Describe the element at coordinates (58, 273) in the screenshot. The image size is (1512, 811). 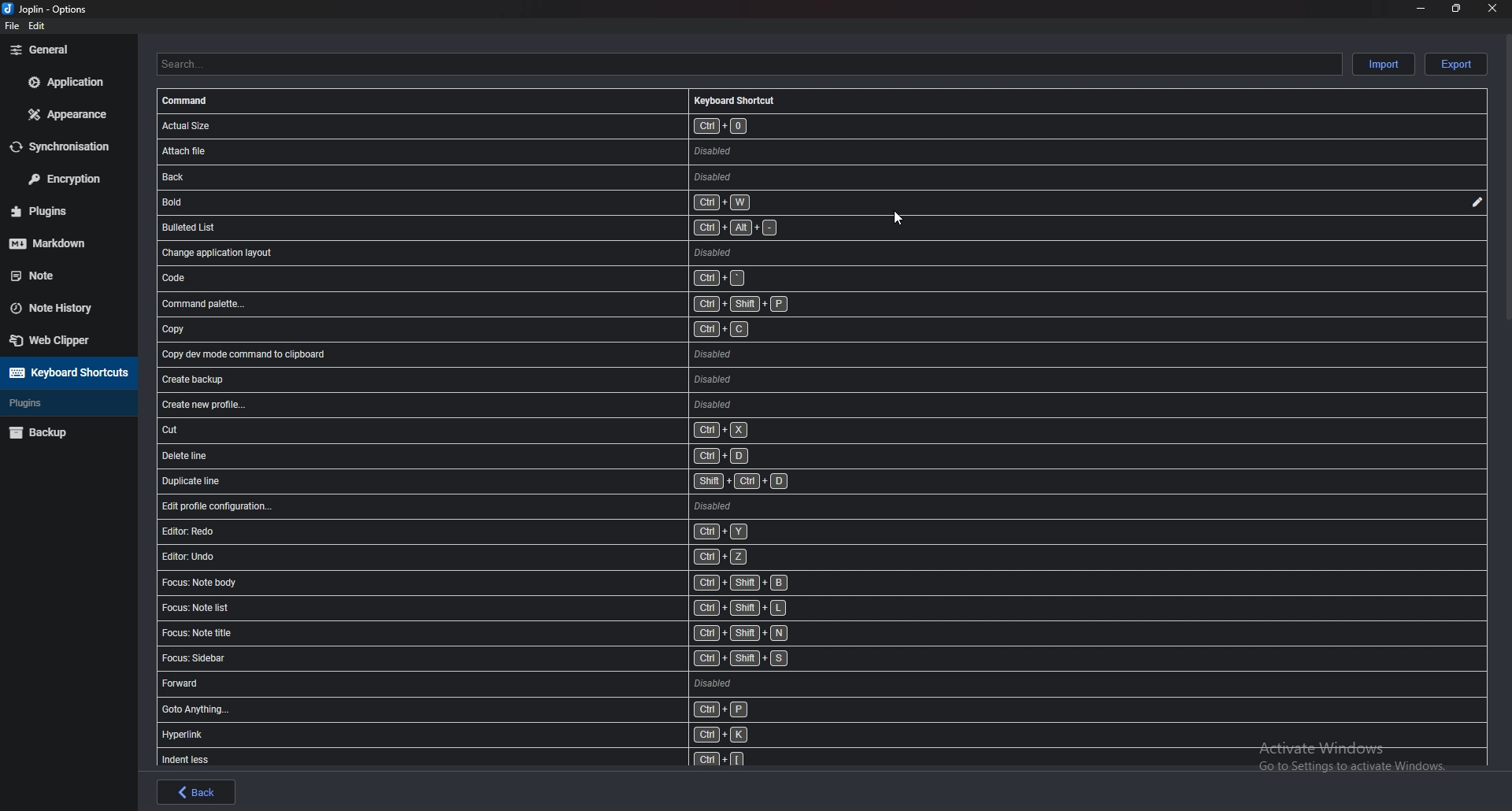
I see `Note` at that location.